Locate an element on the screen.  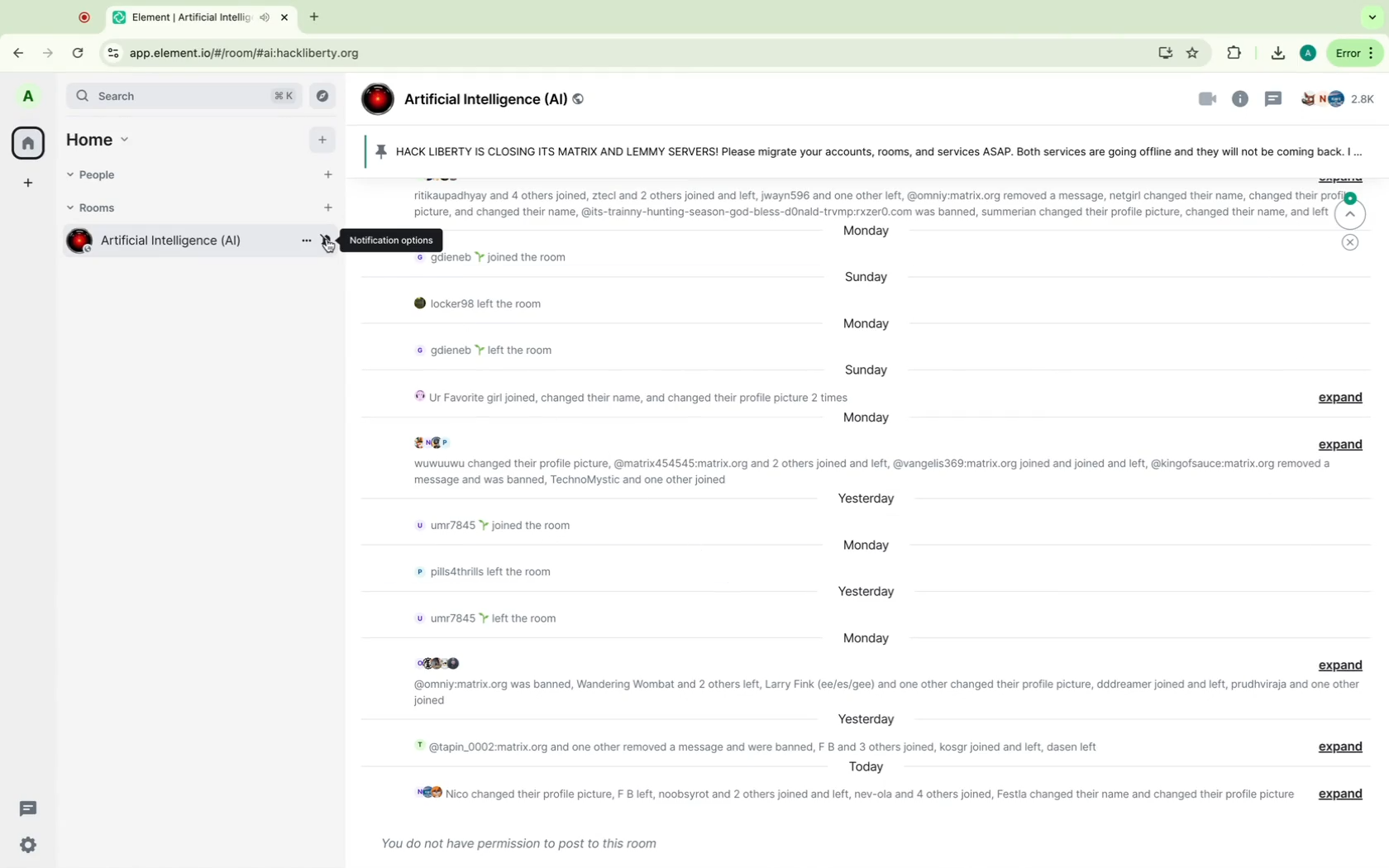
add rooms is located at coordinates (327, 210).